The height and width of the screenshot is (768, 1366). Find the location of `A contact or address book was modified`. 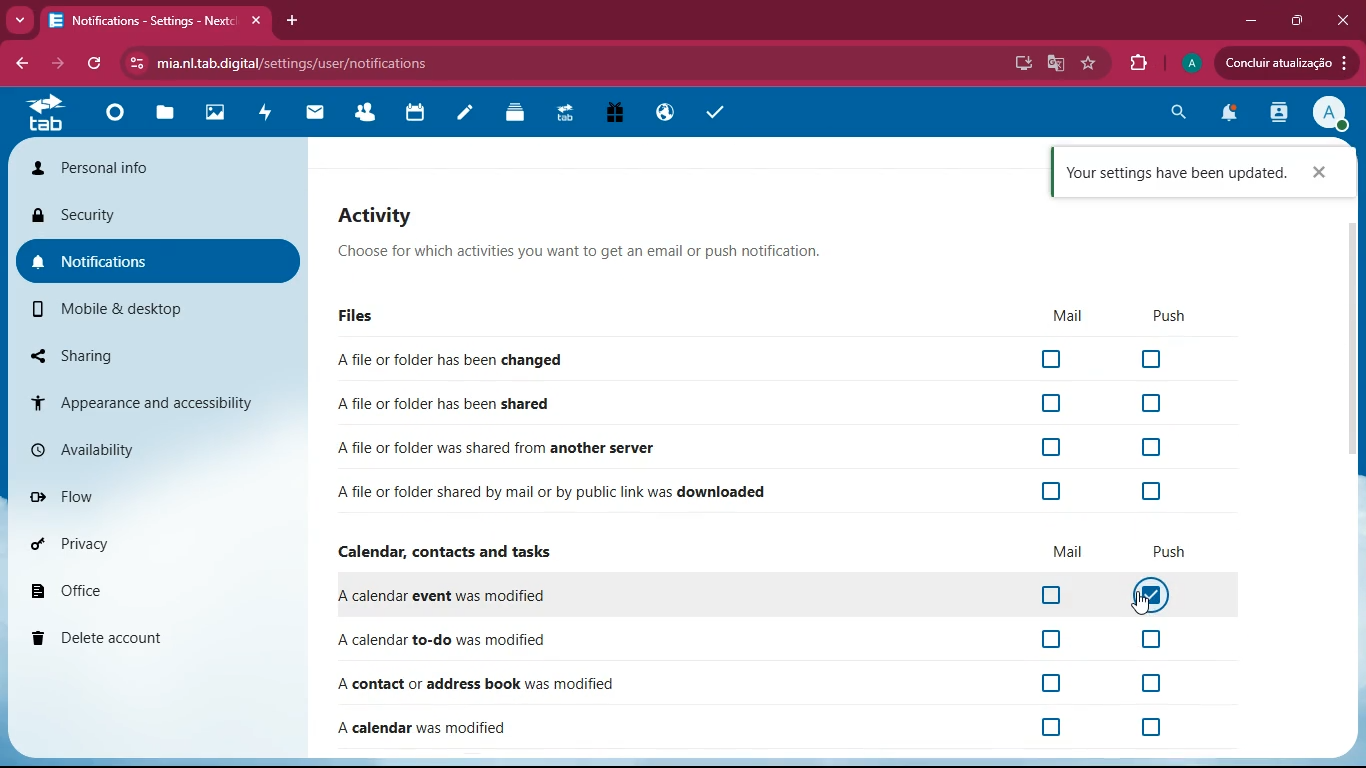

A contact or address book was modified is located at coordinates (516, 685).